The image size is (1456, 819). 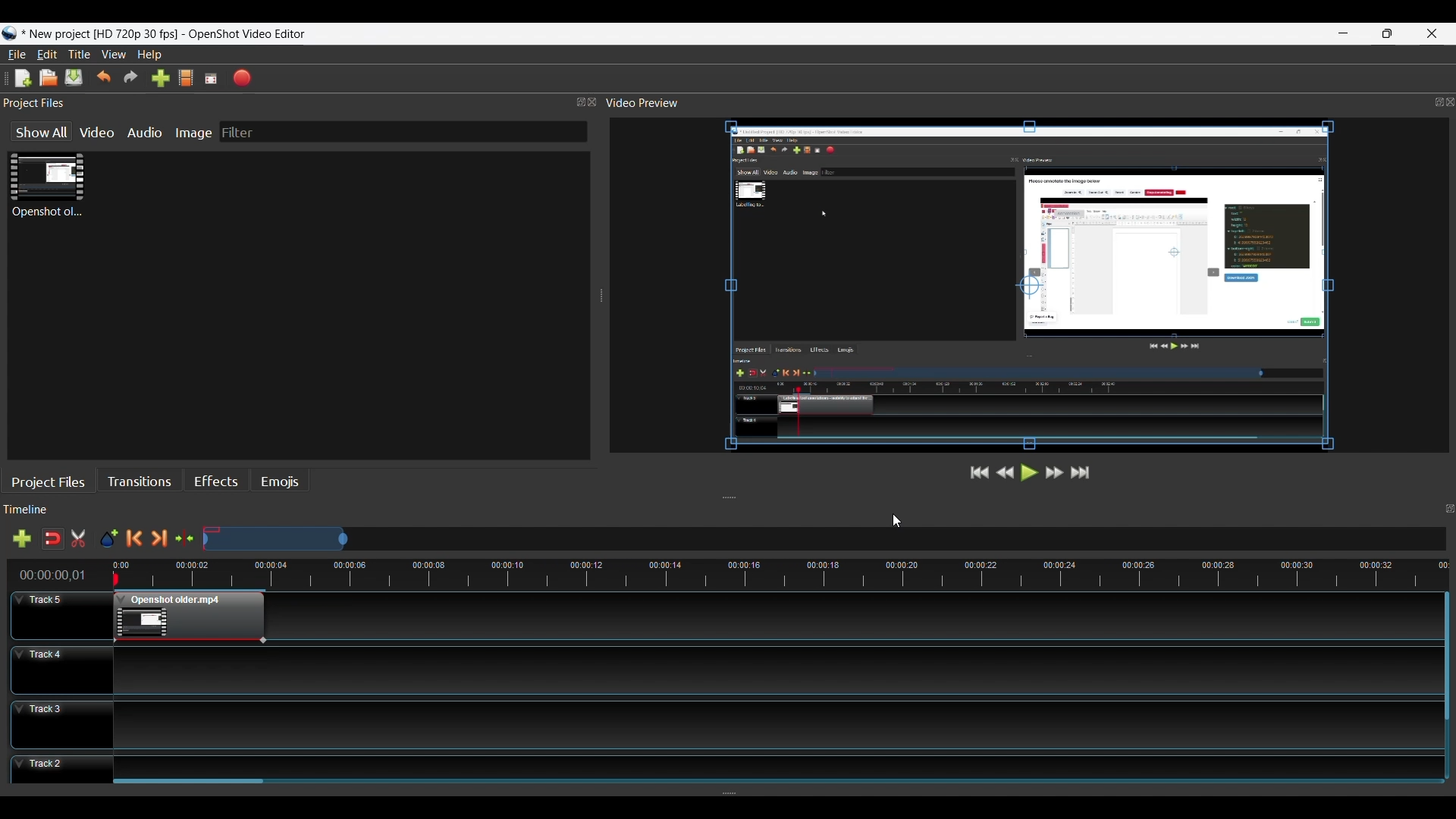 I want to click on Undo, so click(x=104, y=78).